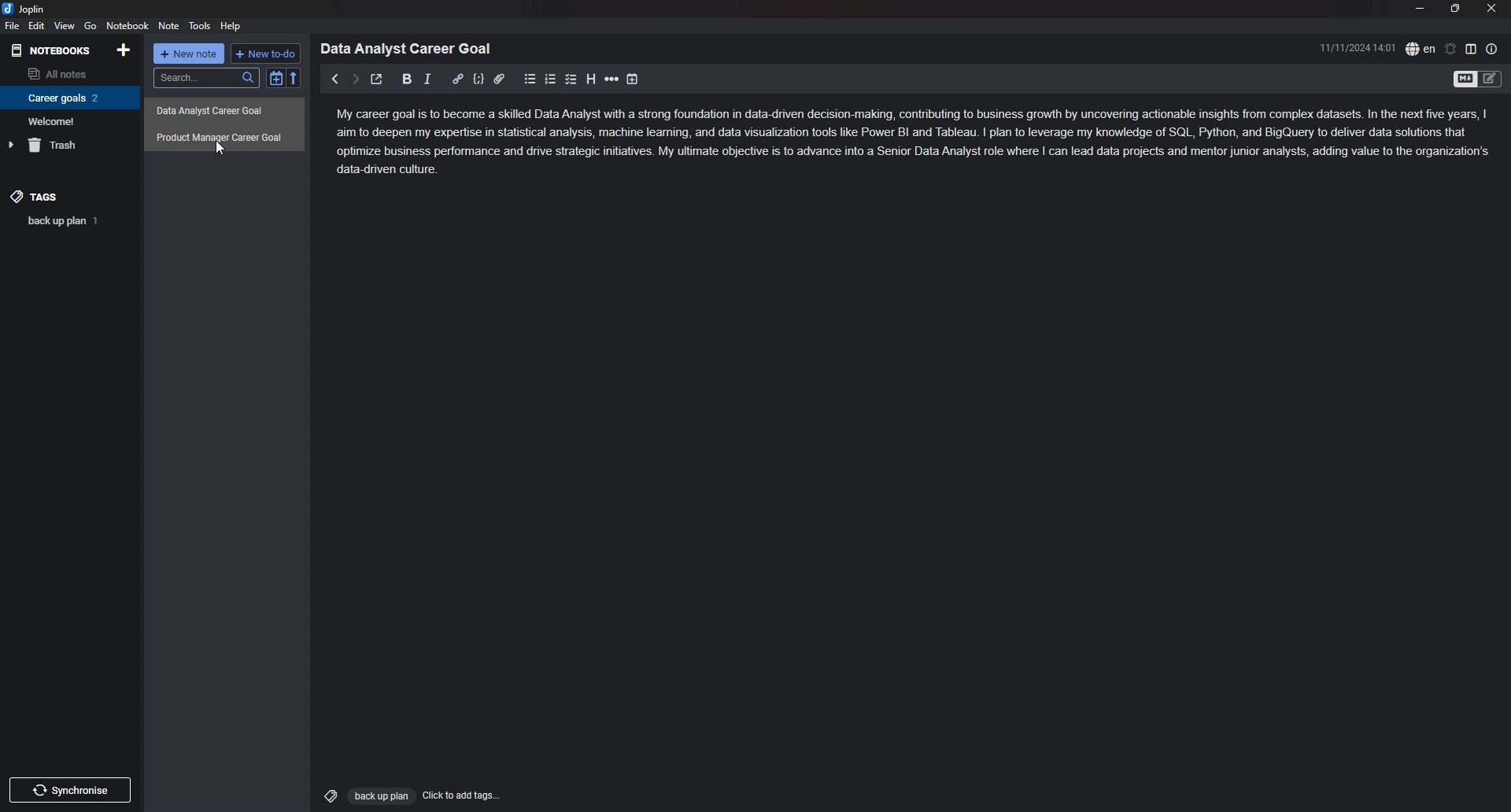  I want to click on help, so click(231, 27).